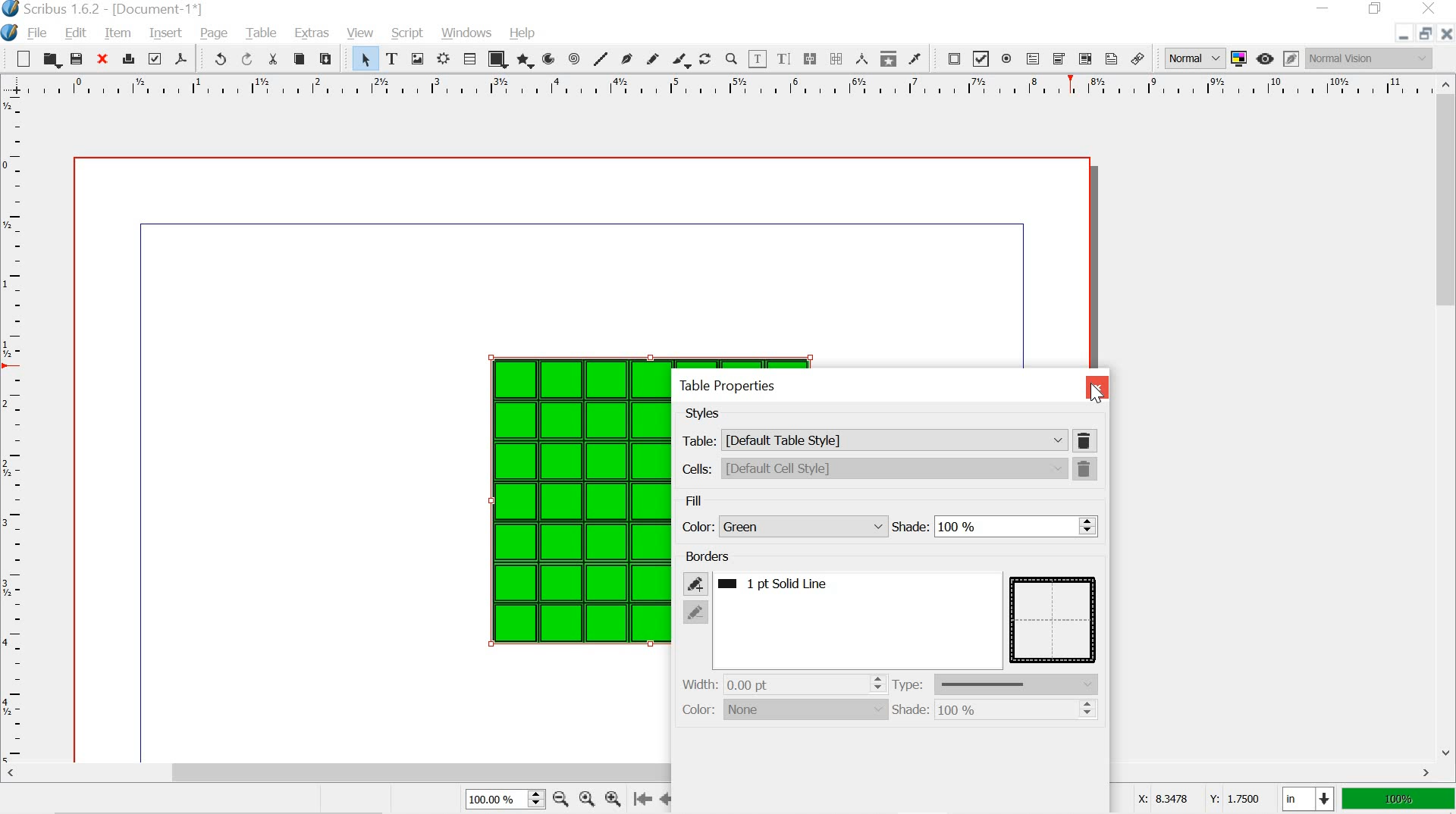 This screenshot has width=1456, height=814. I want to click on freehand line, so click(654, 58).